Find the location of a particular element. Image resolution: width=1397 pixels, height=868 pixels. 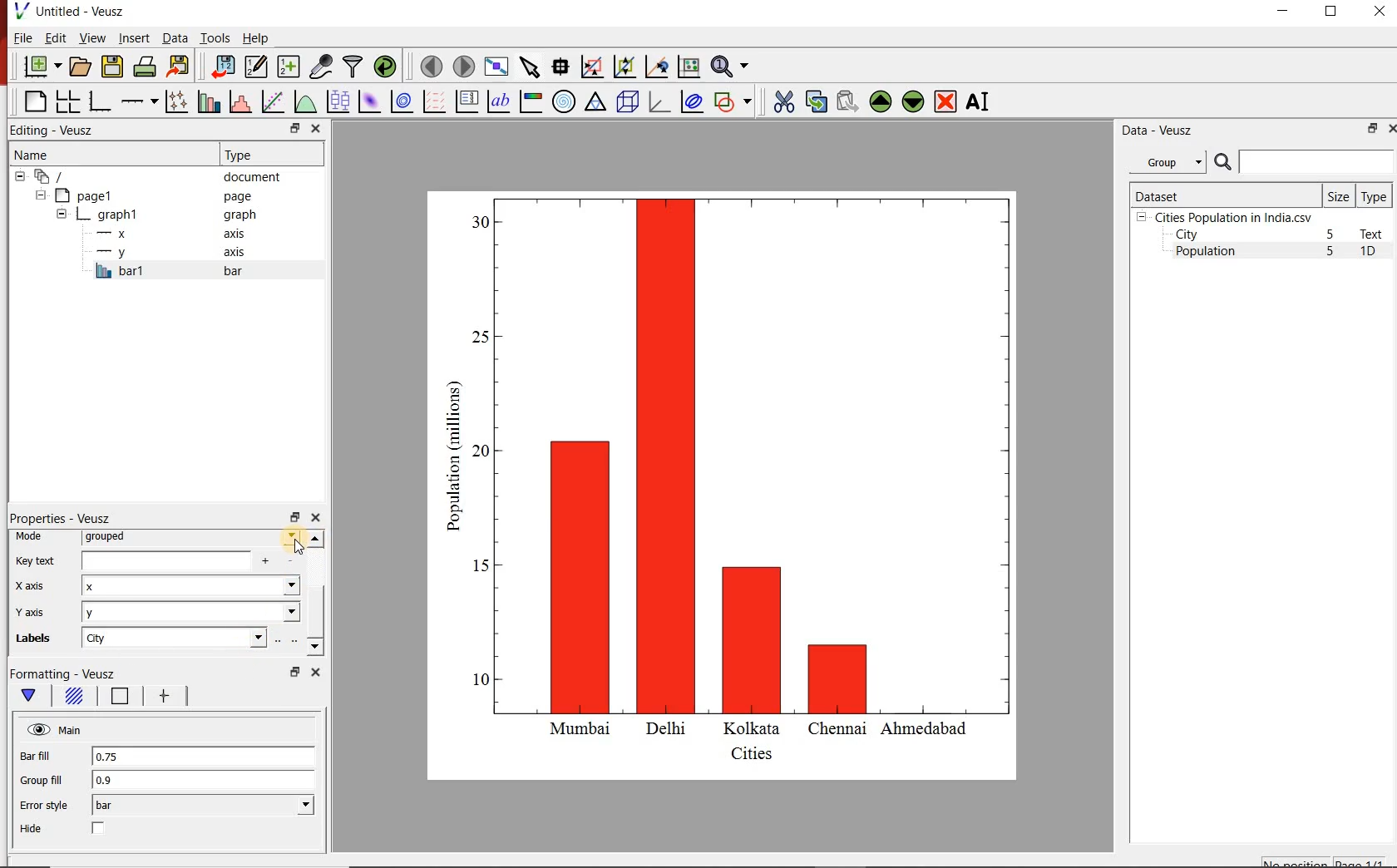

Tools is located at coordinates (214, 37).